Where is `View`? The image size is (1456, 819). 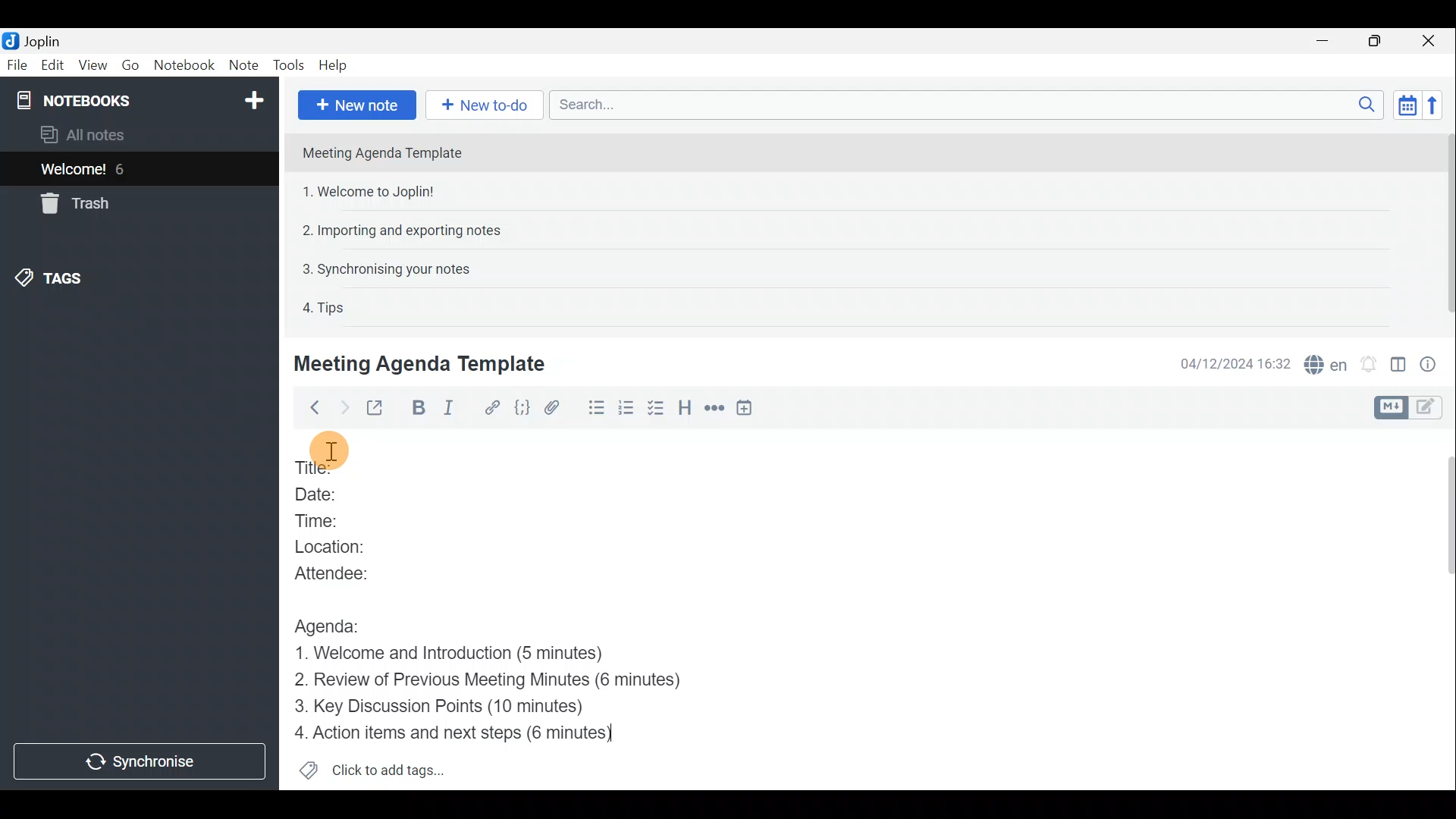 View is located at coordinates (90, 67).